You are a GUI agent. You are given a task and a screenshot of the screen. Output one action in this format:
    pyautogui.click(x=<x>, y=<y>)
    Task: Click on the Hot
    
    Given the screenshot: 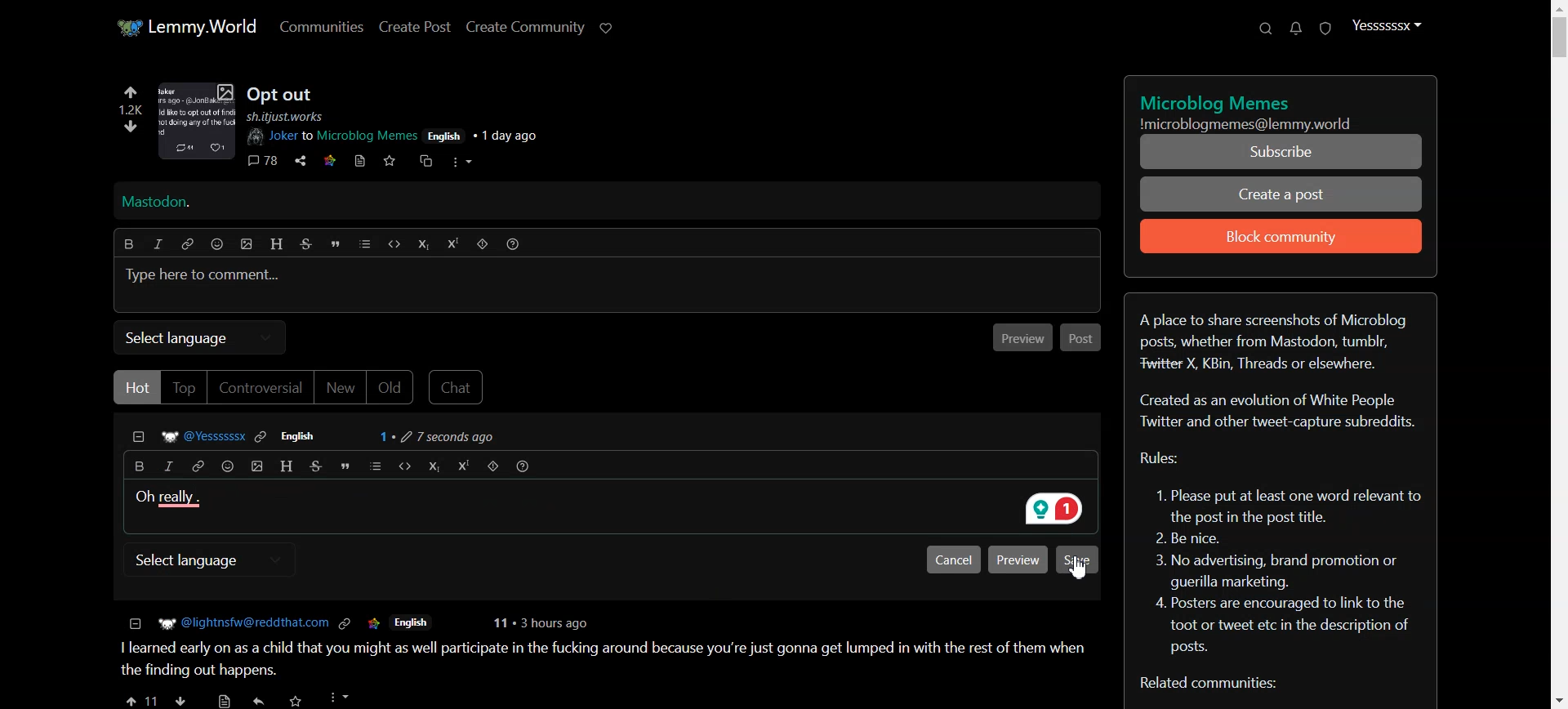 What is the action you would take?
    pyautogui.click(x=136, y=386)
    